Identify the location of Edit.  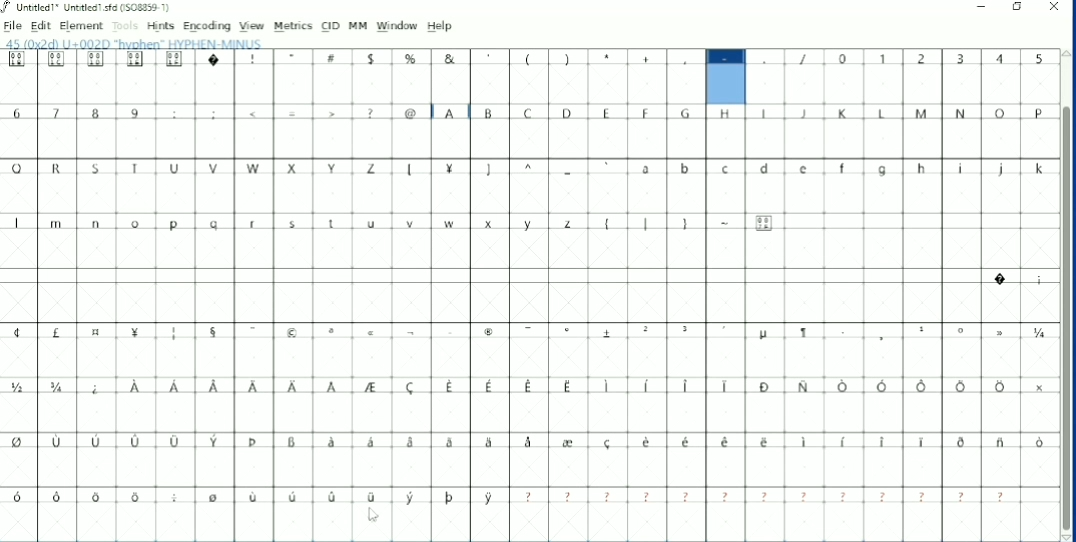
(41, 26).